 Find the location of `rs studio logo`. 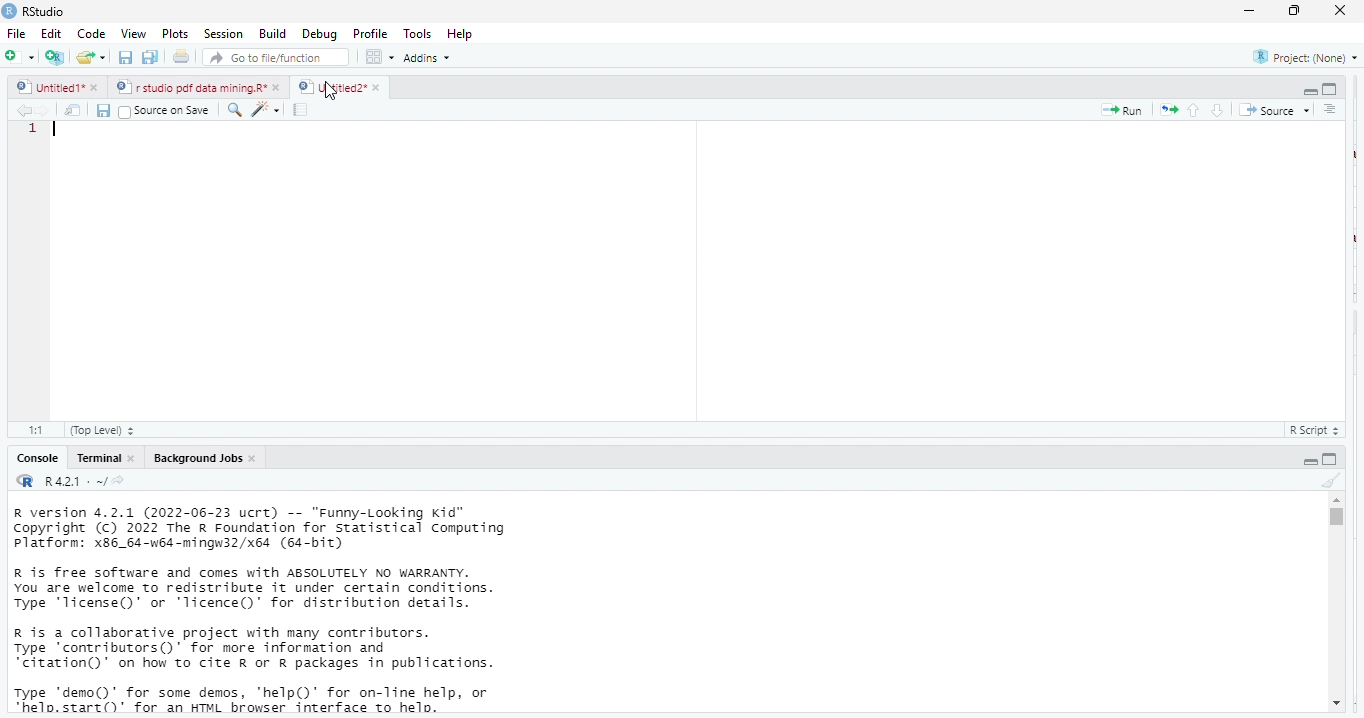

rs studio logo is located at coordinates (9, 10).